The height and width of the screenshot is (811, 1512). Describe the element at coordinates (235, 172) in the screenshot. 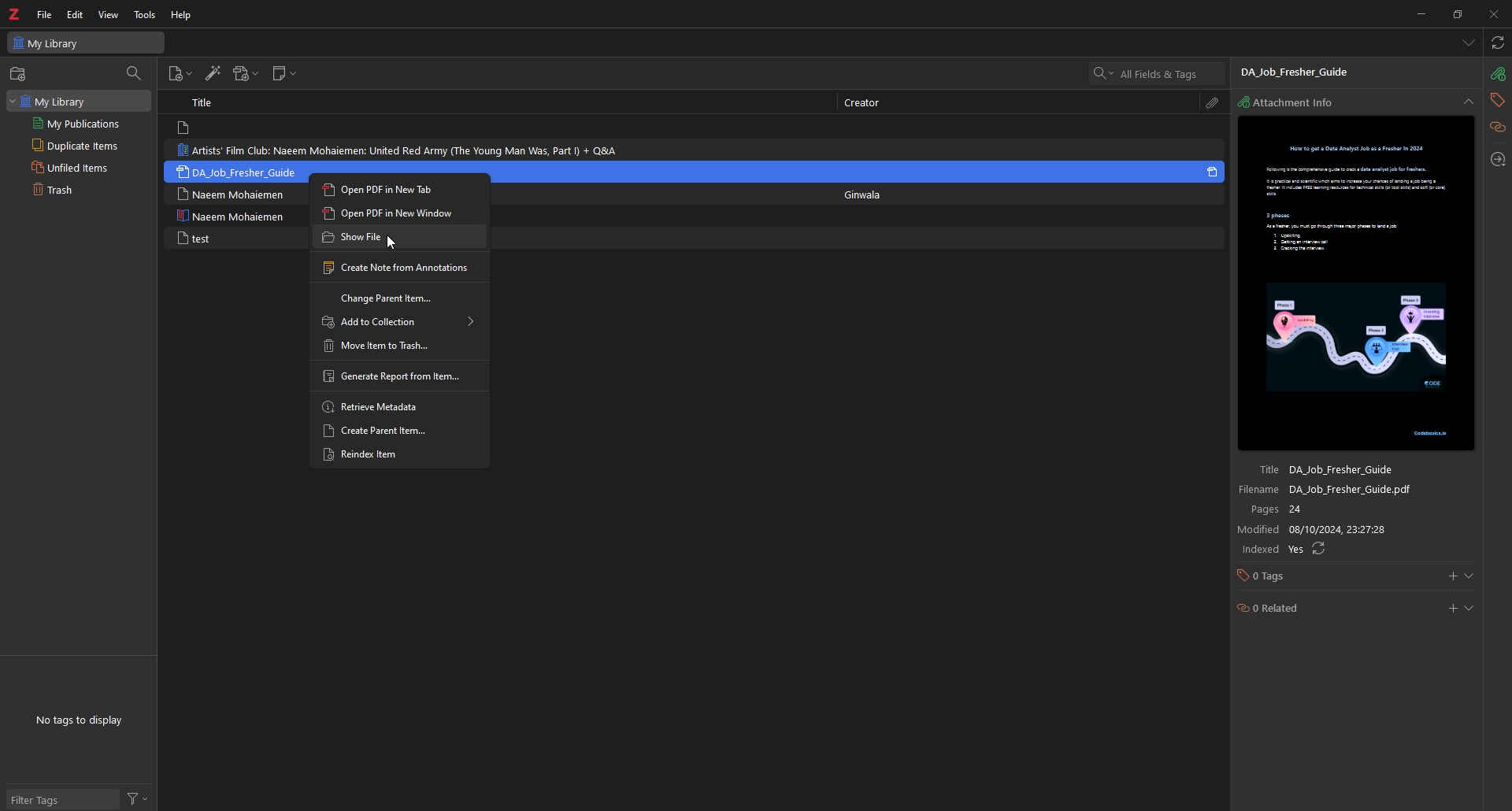

I see `note` at that location.